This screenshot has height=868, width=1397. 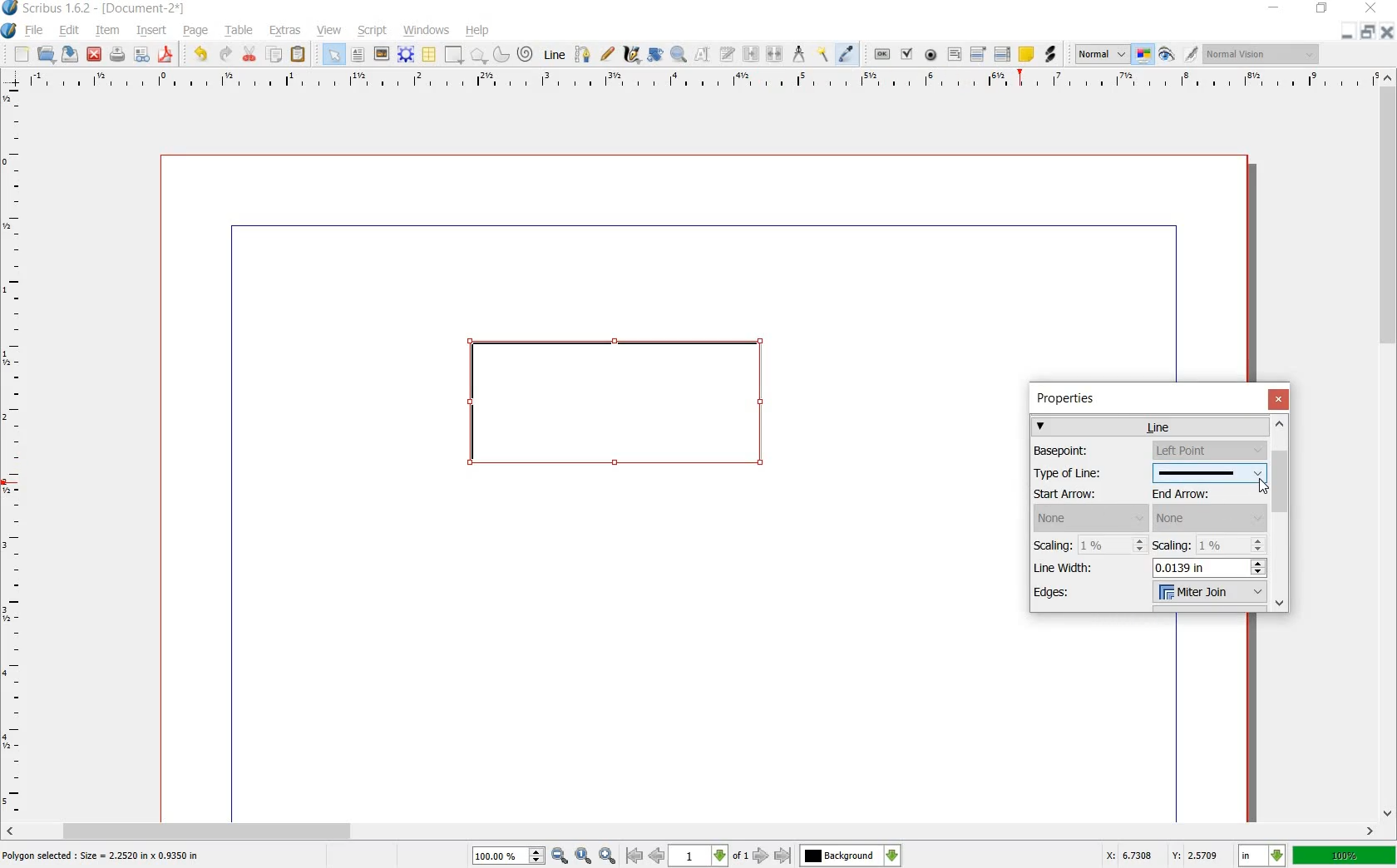 I want to click on Basepoint:, so click(x=1084, y=451).